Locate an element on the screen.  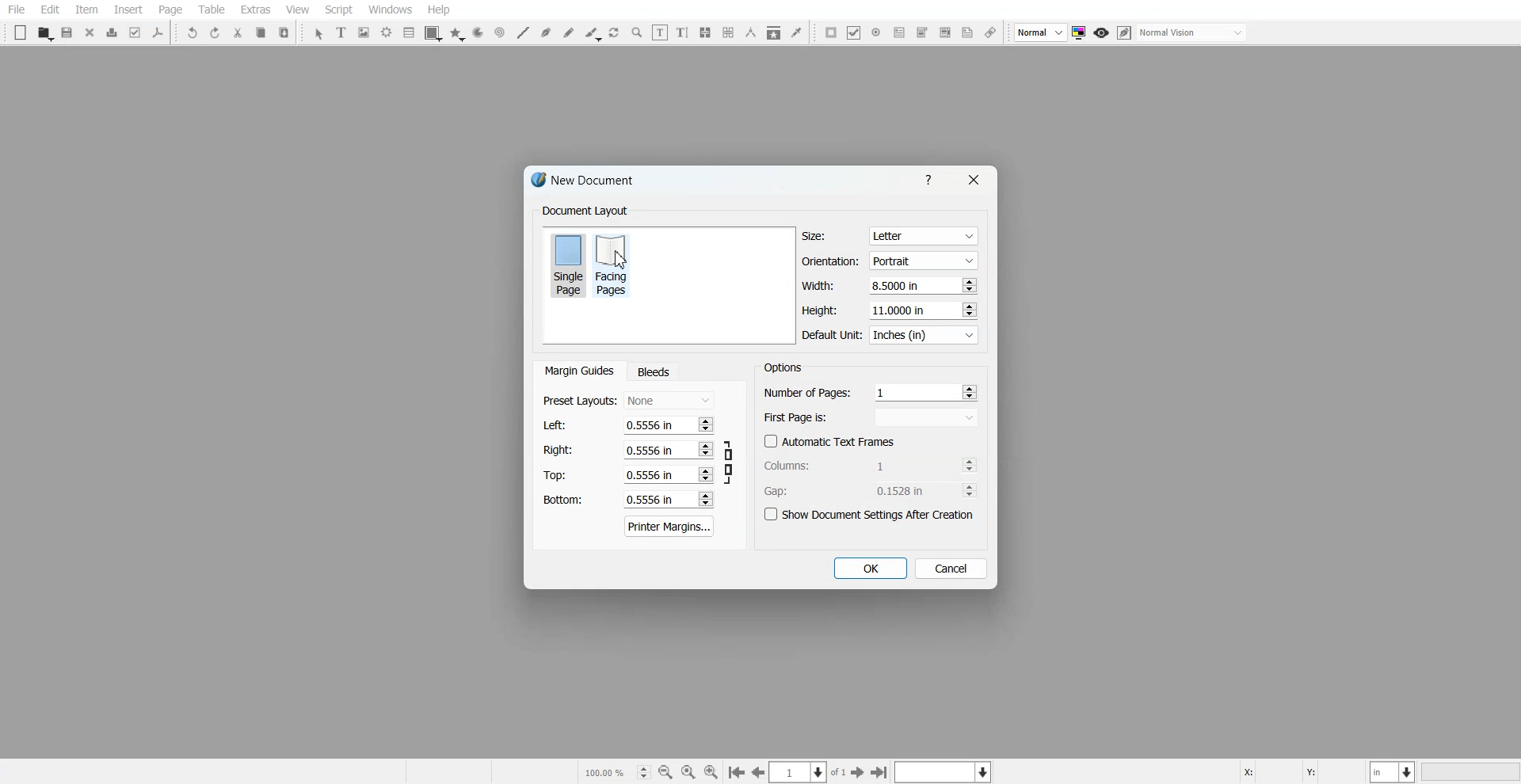
New is located at coordinates (21, 32).